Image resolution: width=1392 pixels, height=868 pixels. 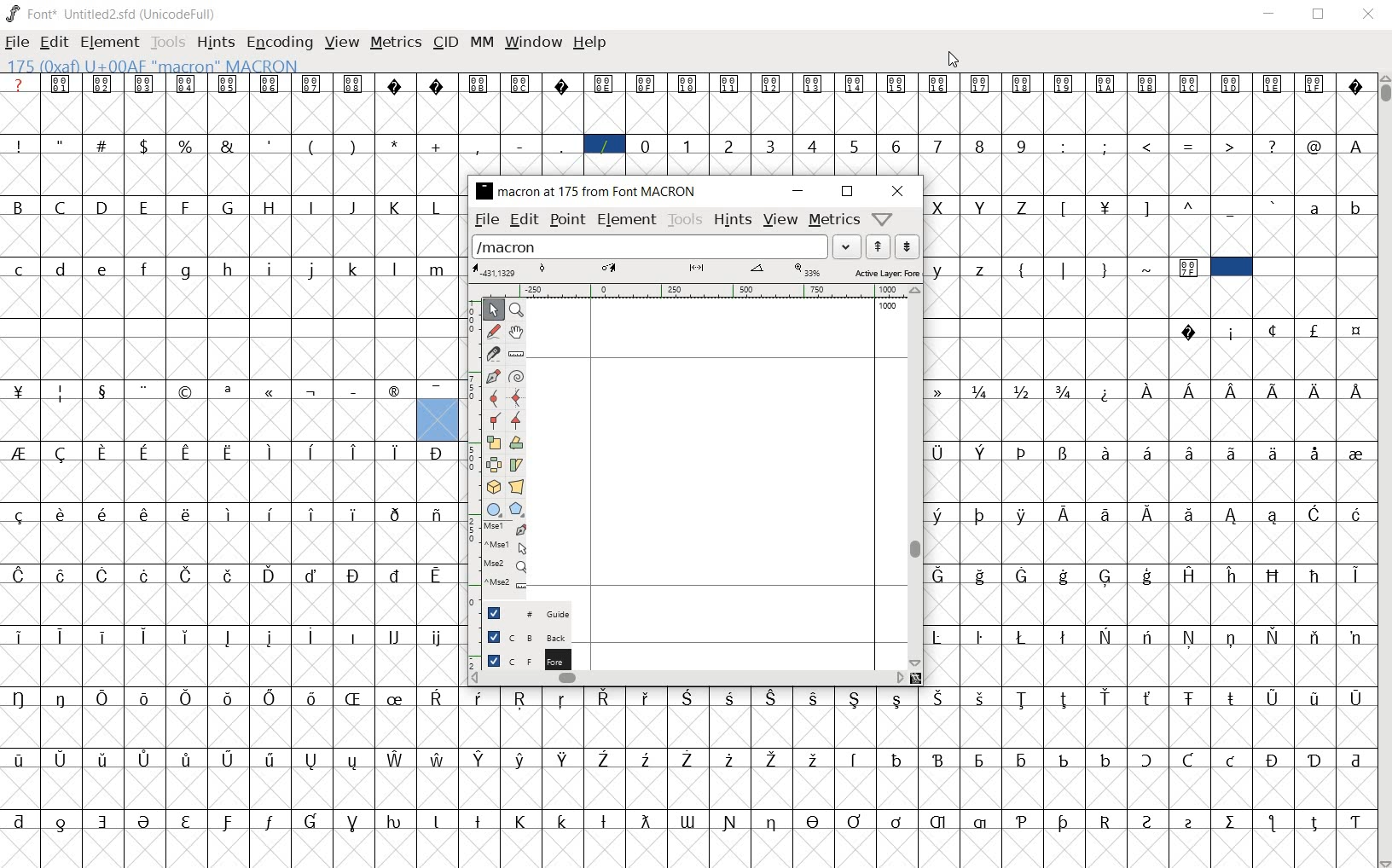 What do you see at coordinates (1106, 391) in the screenshot?
I see `Symbol` at bounding box center [1106, 391].